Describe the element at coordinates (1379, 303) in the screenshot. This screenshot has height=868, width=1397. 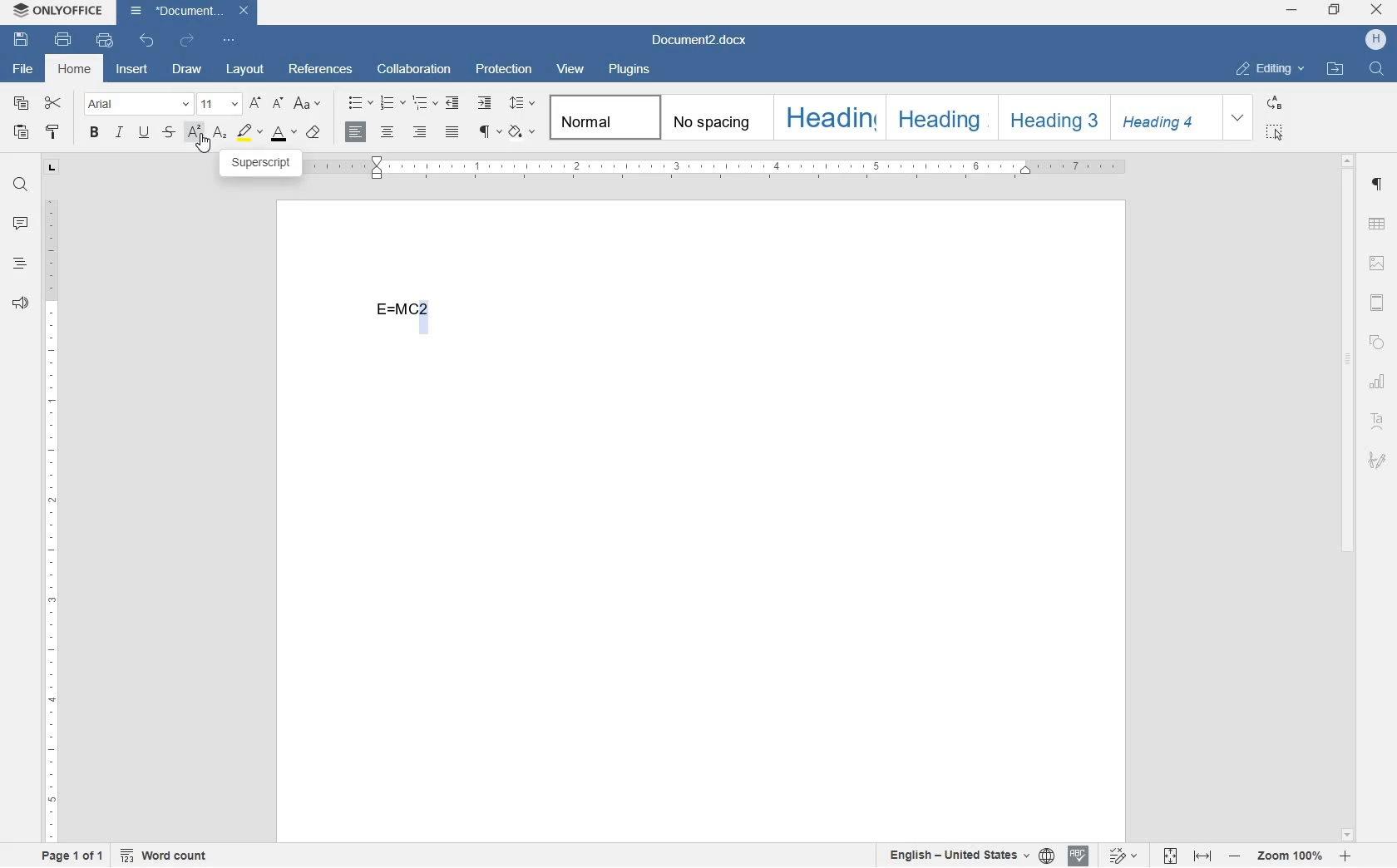
I see `header & footer` at that location.